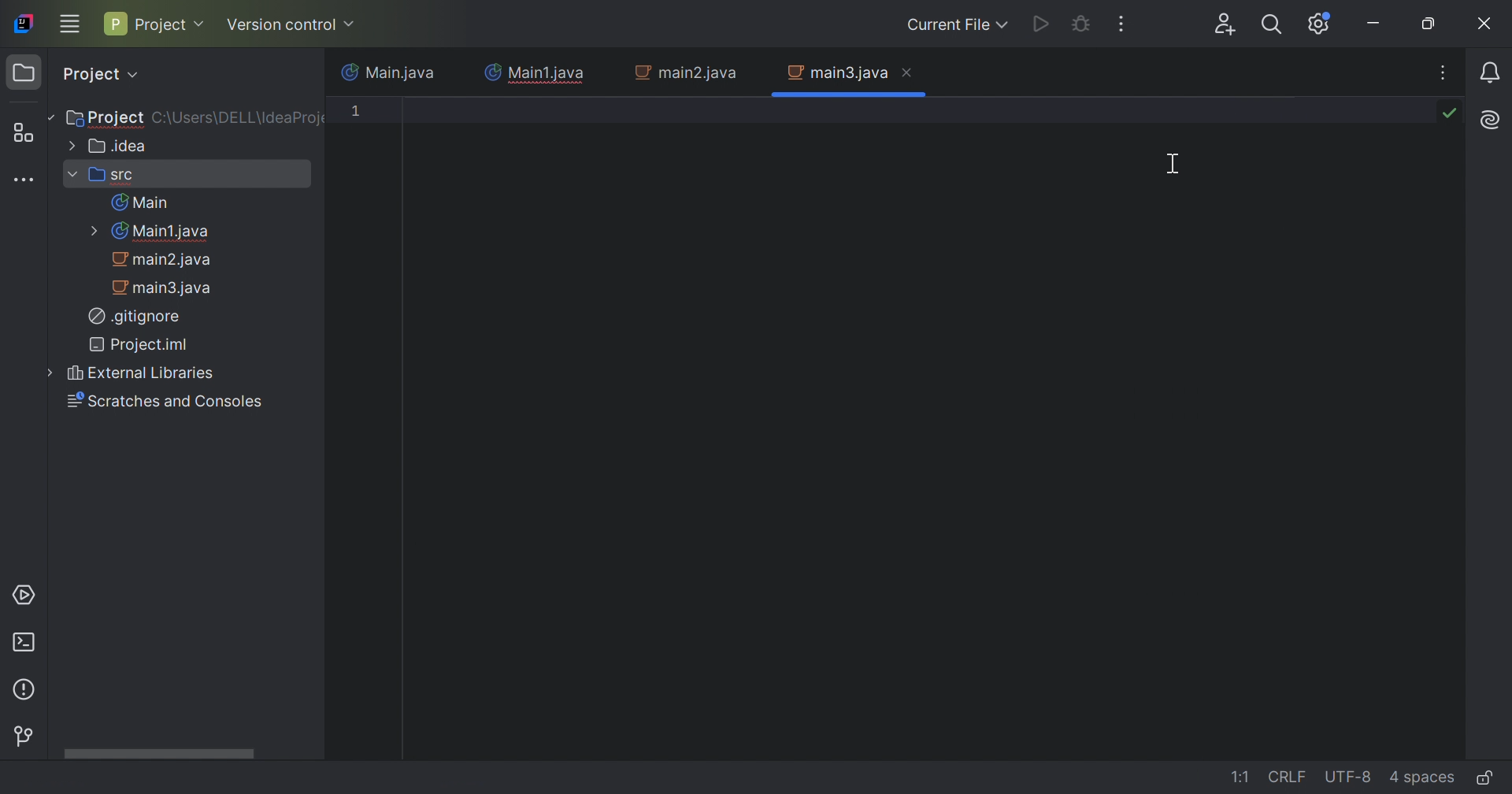 This screenshot has width=1512, height=794. Describe the element at coordinates (1350, 780) in the screenshot. I see `UTF-8` at that location.